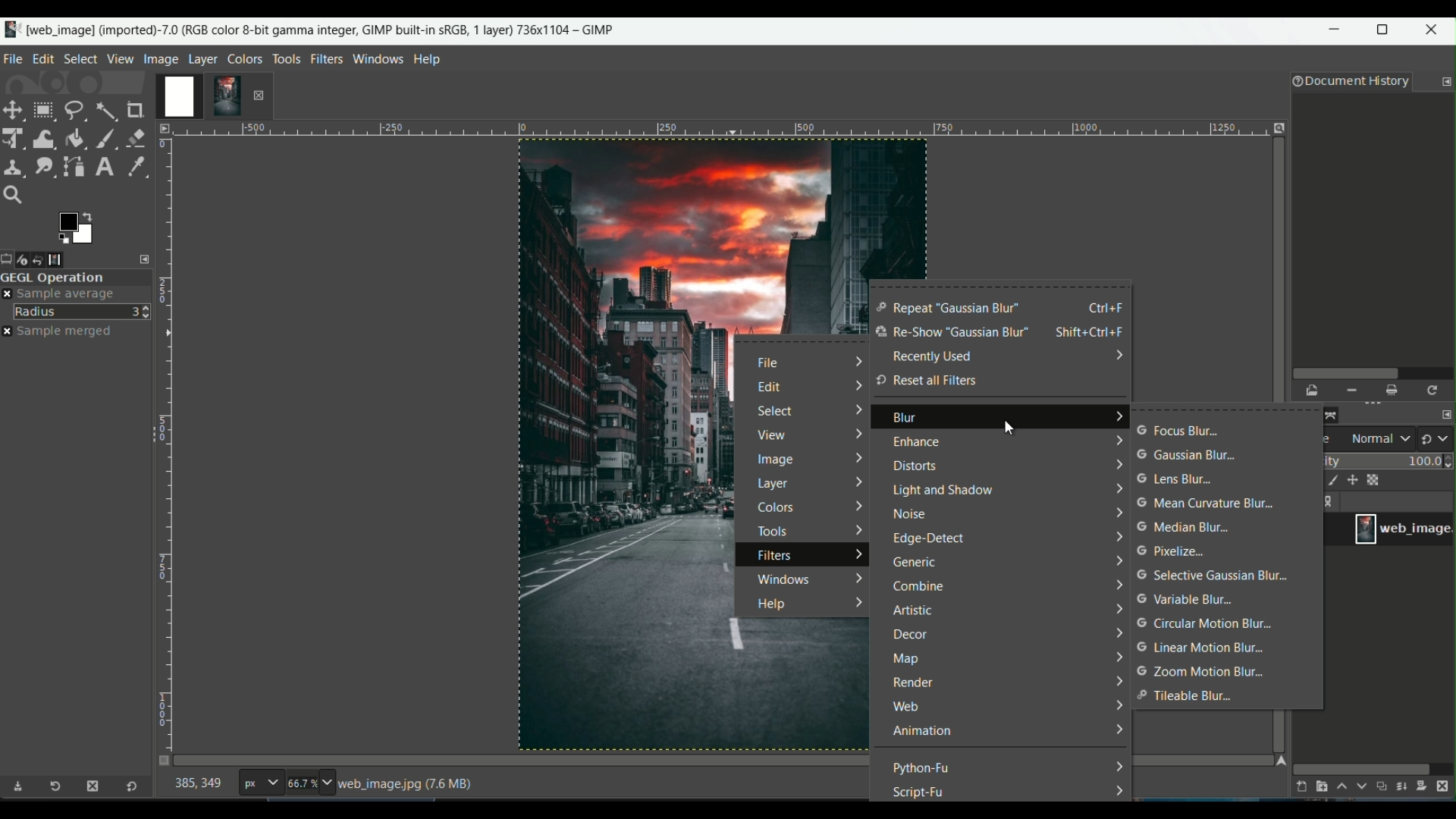 The height and width of the screenshot is (819, 1456). What do you see at coordinates (907, 708) in the screenshot?
I see `web` at bounding box center [907, 708].